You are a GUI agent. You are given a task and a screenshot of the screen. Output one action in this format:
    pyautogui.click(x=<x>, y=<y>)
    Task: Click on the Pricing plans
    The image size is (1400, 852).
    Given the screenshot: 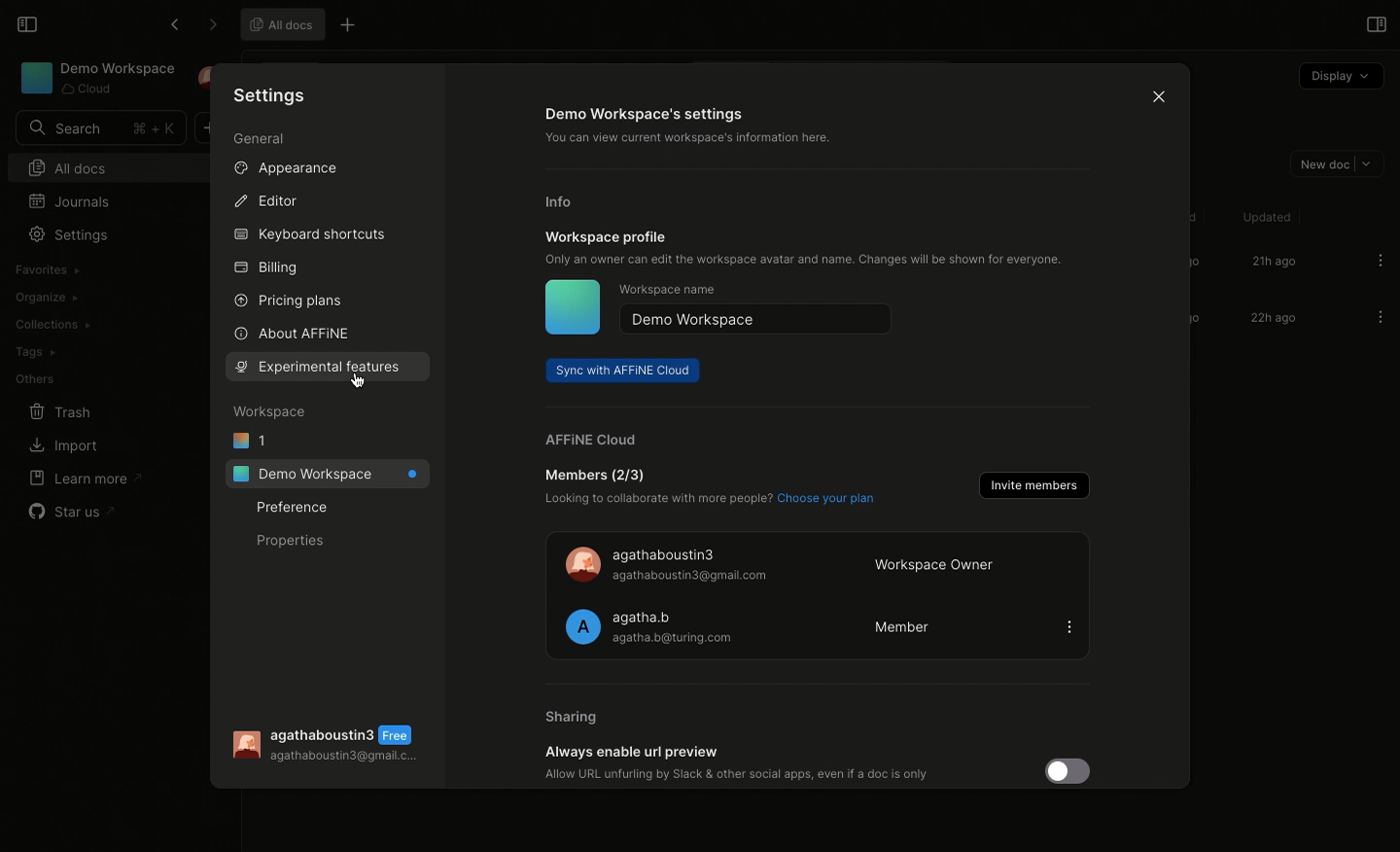 What is the action you would take?
    pyautogui.click(x=287, y=302)
    